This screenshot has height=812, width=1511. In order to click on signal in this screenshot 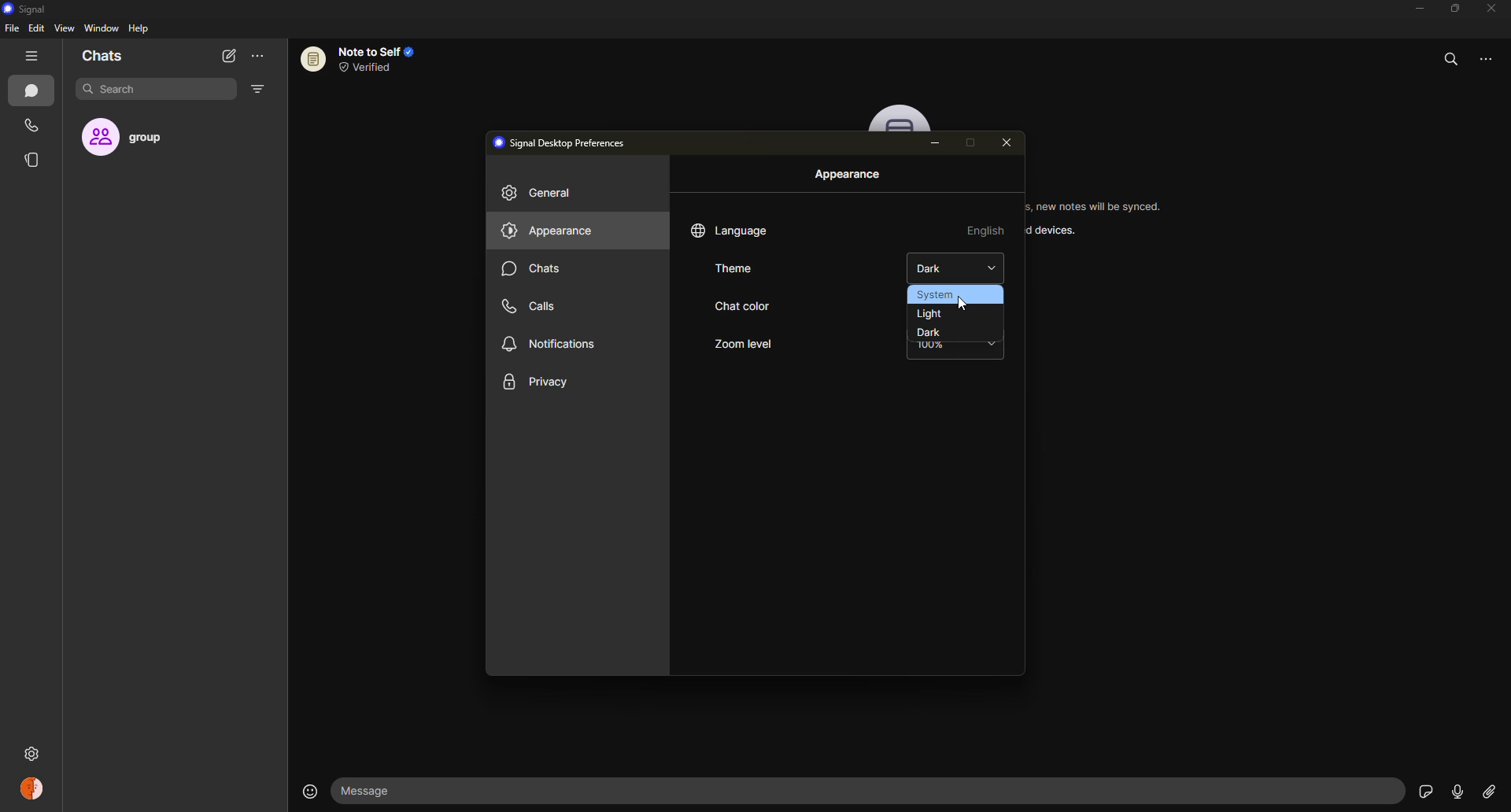, I will do `click(24, 10)`.